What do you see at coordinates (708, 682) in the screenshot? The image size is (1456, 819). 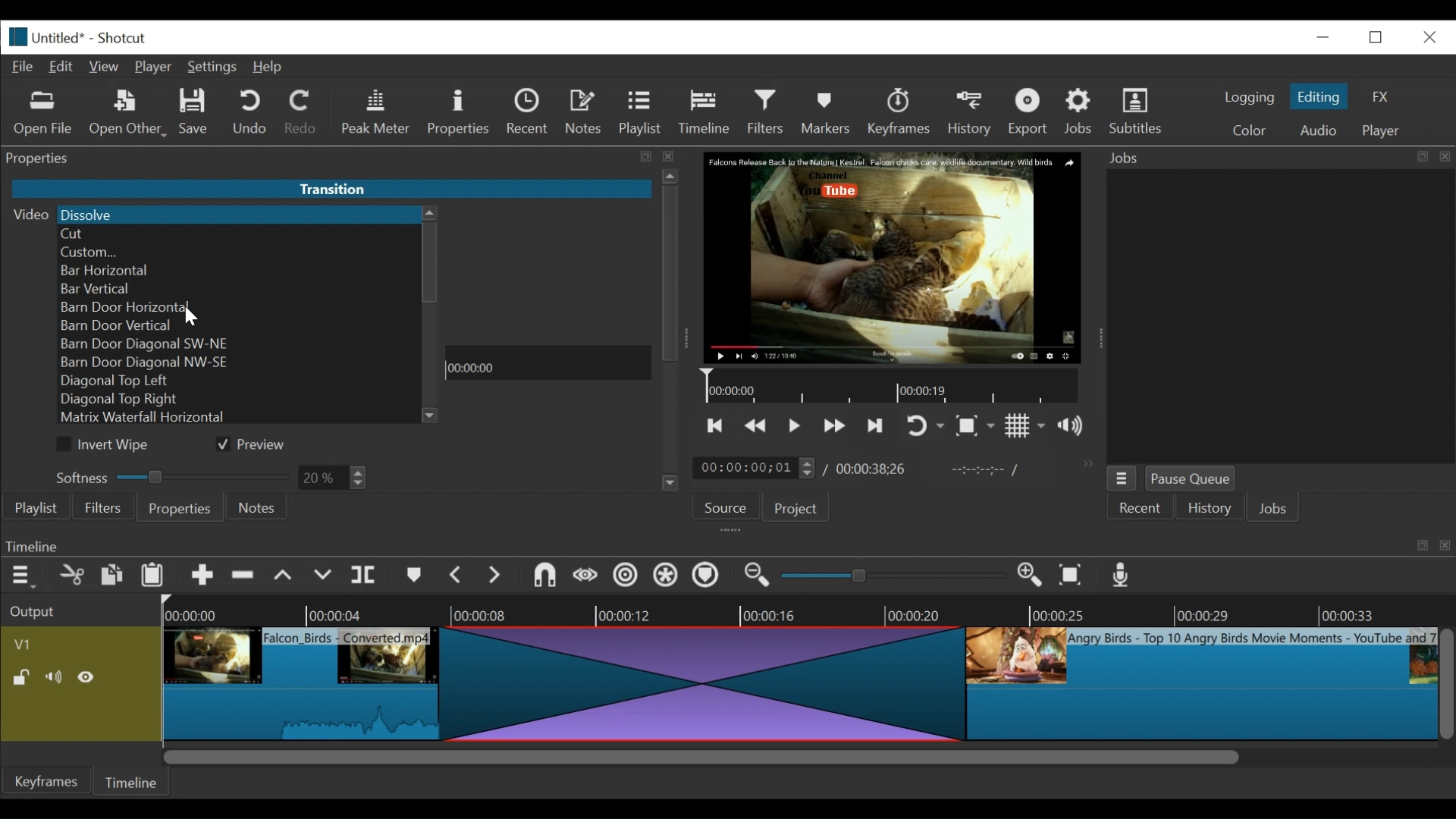 I see `transition` at bounding box center [708, 682].